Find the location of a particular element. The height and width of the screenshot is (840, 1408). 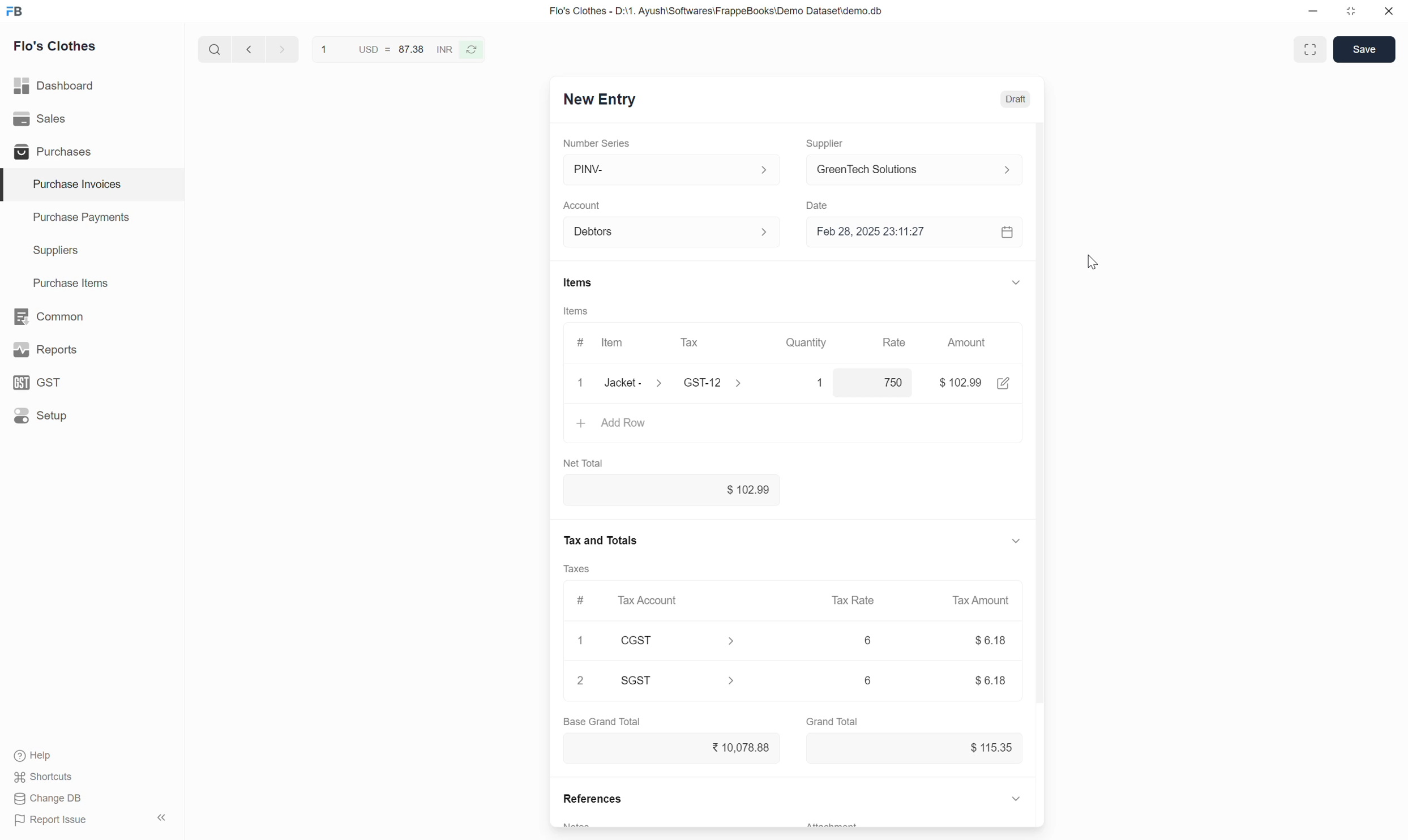

Collapse is located at coordinates (1017, 282).